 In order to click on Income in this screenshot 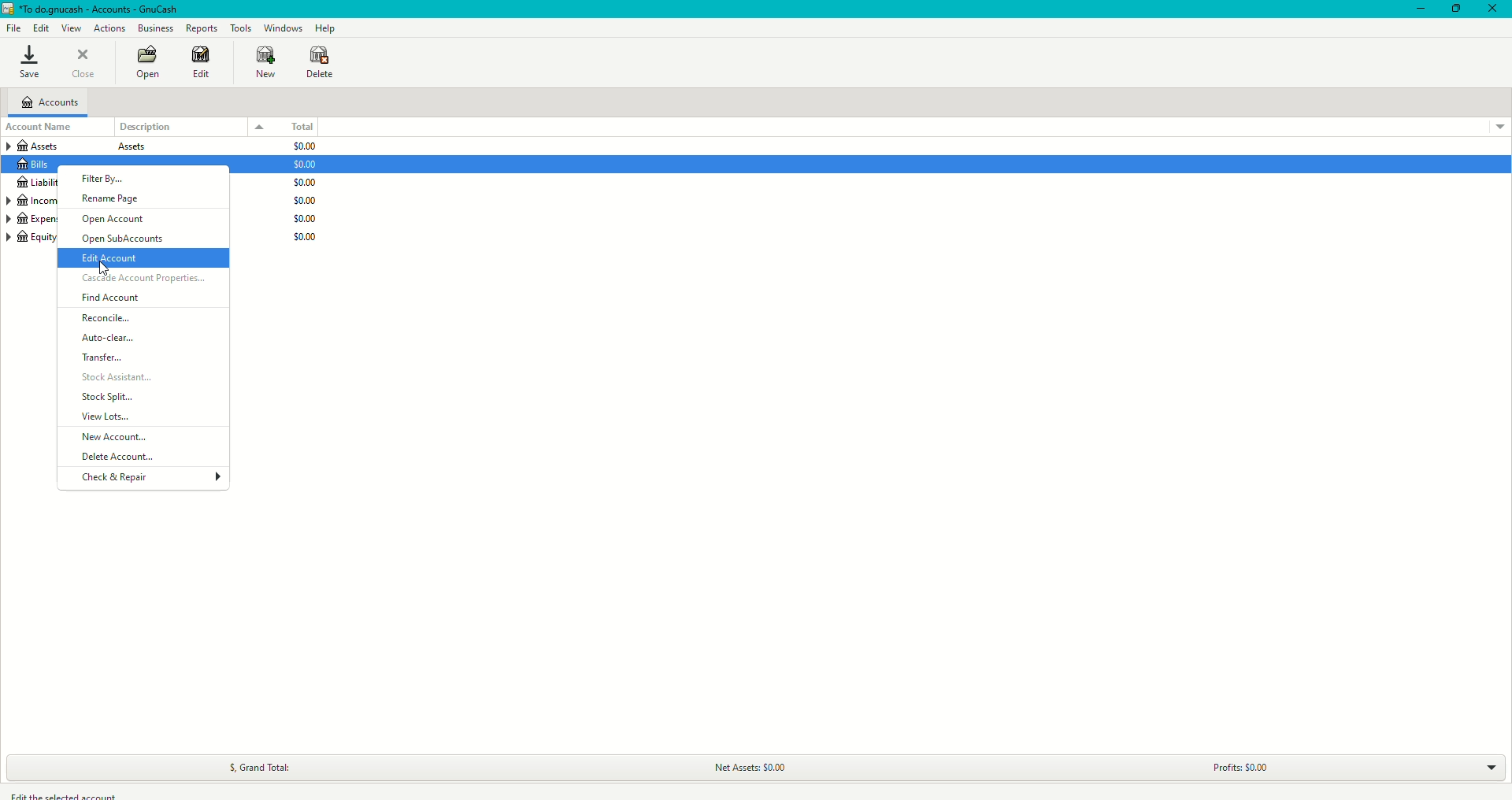, I will do `click(35, 202)`.